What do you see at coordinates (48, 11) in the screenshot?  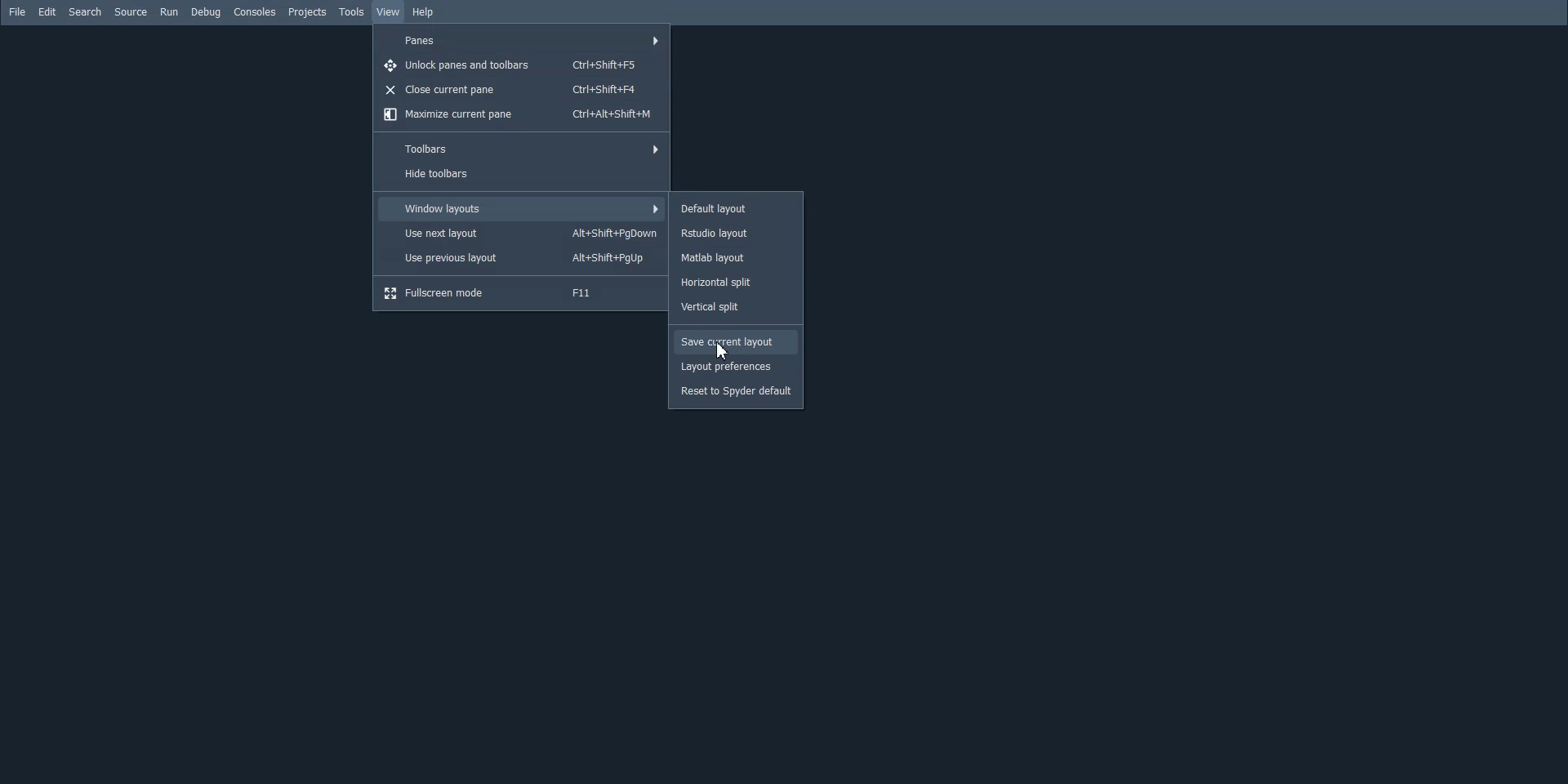 I see `Edit` at bounding box center [48, 11].